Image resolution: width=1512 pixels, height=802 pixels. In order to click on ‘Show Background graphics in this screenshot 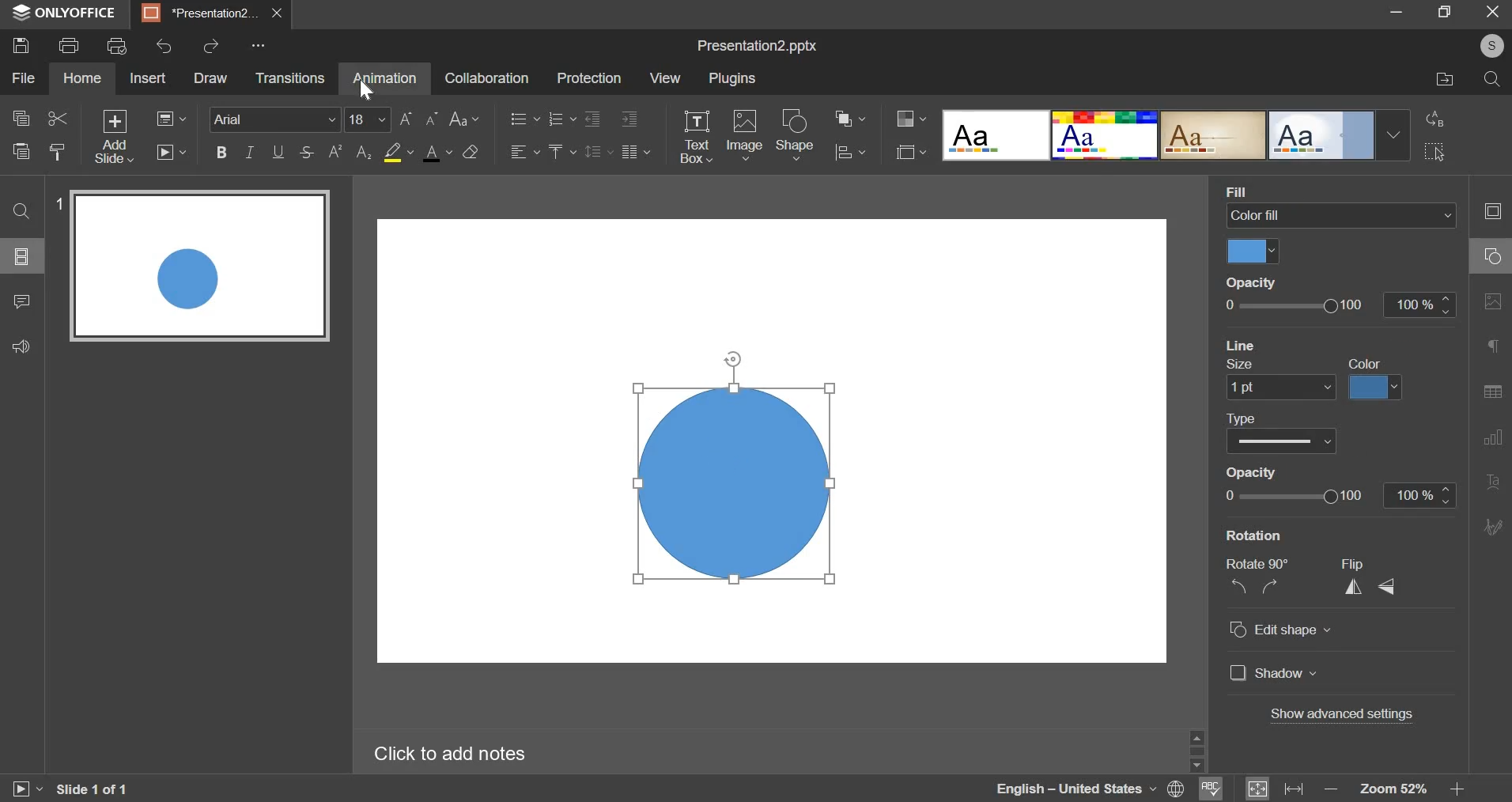, I will do `click(1303, 533)`.